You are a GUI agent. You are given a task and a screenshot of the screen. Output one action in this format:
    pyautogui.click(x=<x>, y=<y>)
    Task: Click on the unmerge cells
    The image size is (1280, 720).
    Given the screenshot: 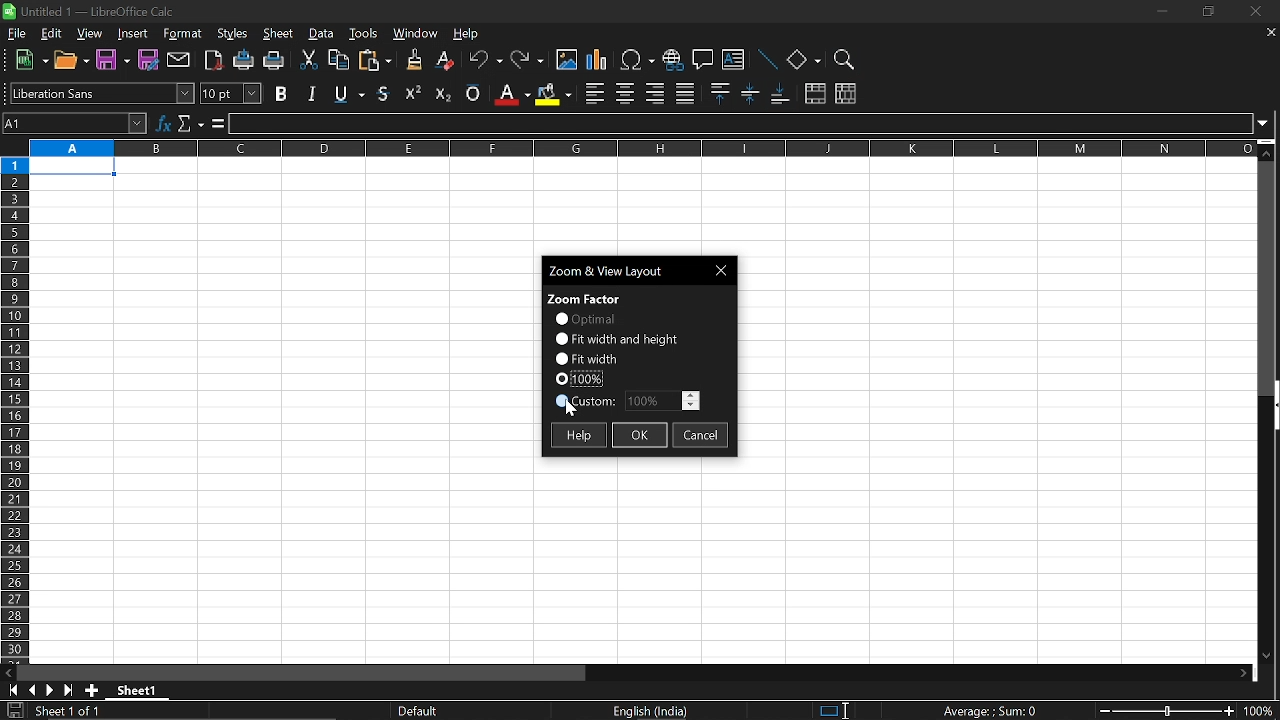 What is the action you would take?
    pyautogui.click(x=845, y=93)
    